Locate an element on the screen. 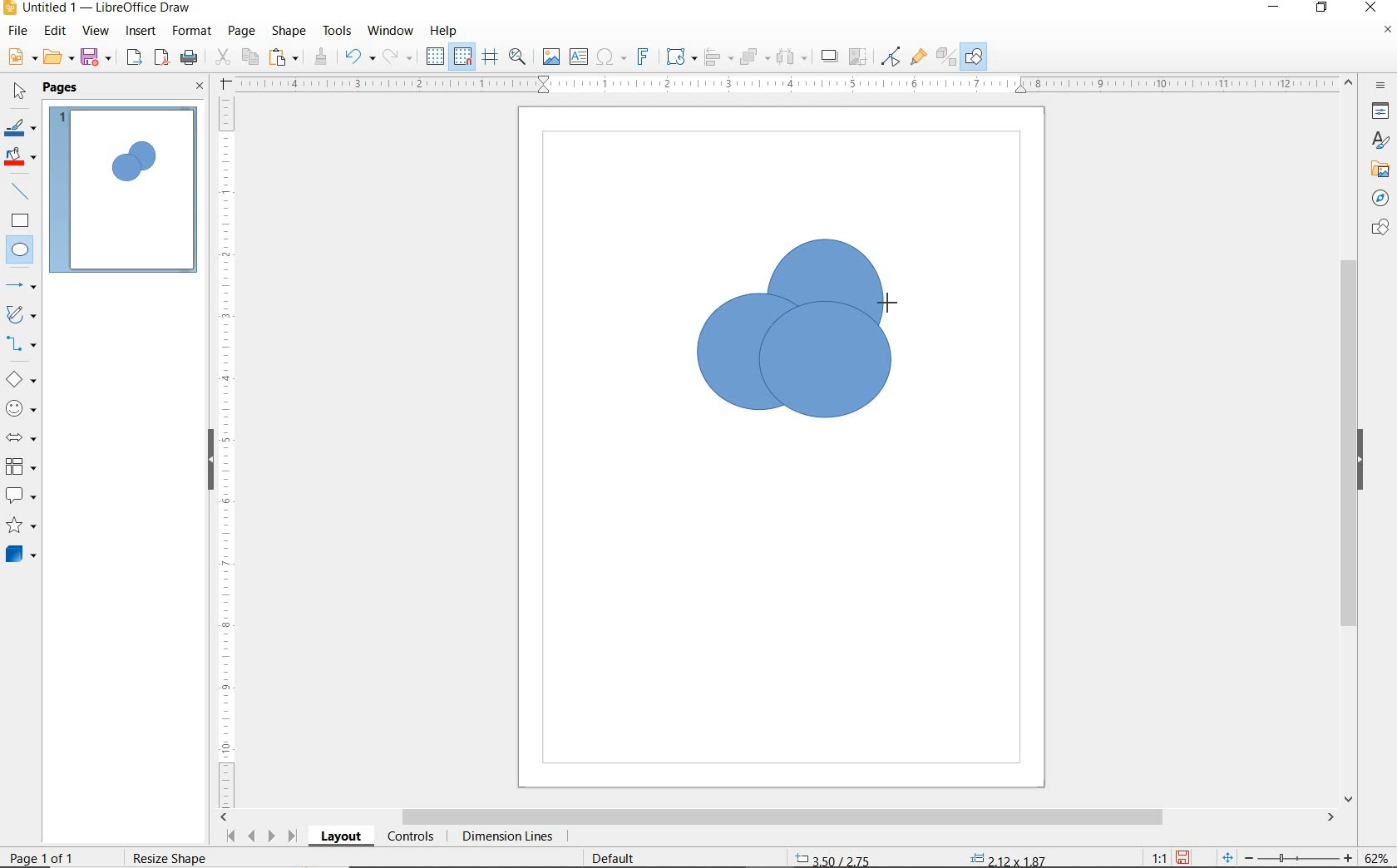  STANDARD SELECTION is located at coordinates (921, 854).